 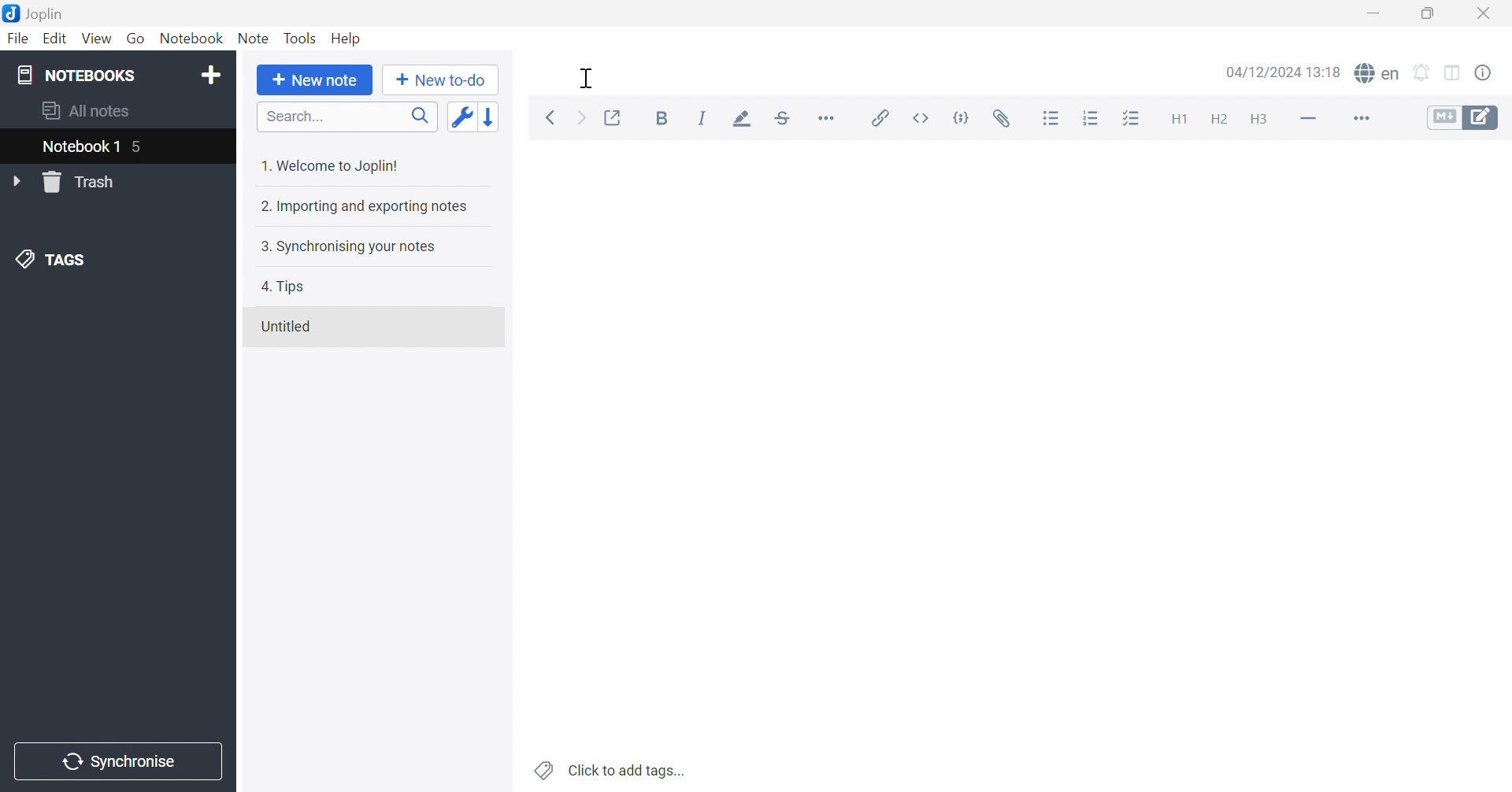 What do you see at coordinates (346, 39) in the screenshot?
I see `Help` at bounding box center [346, 39].